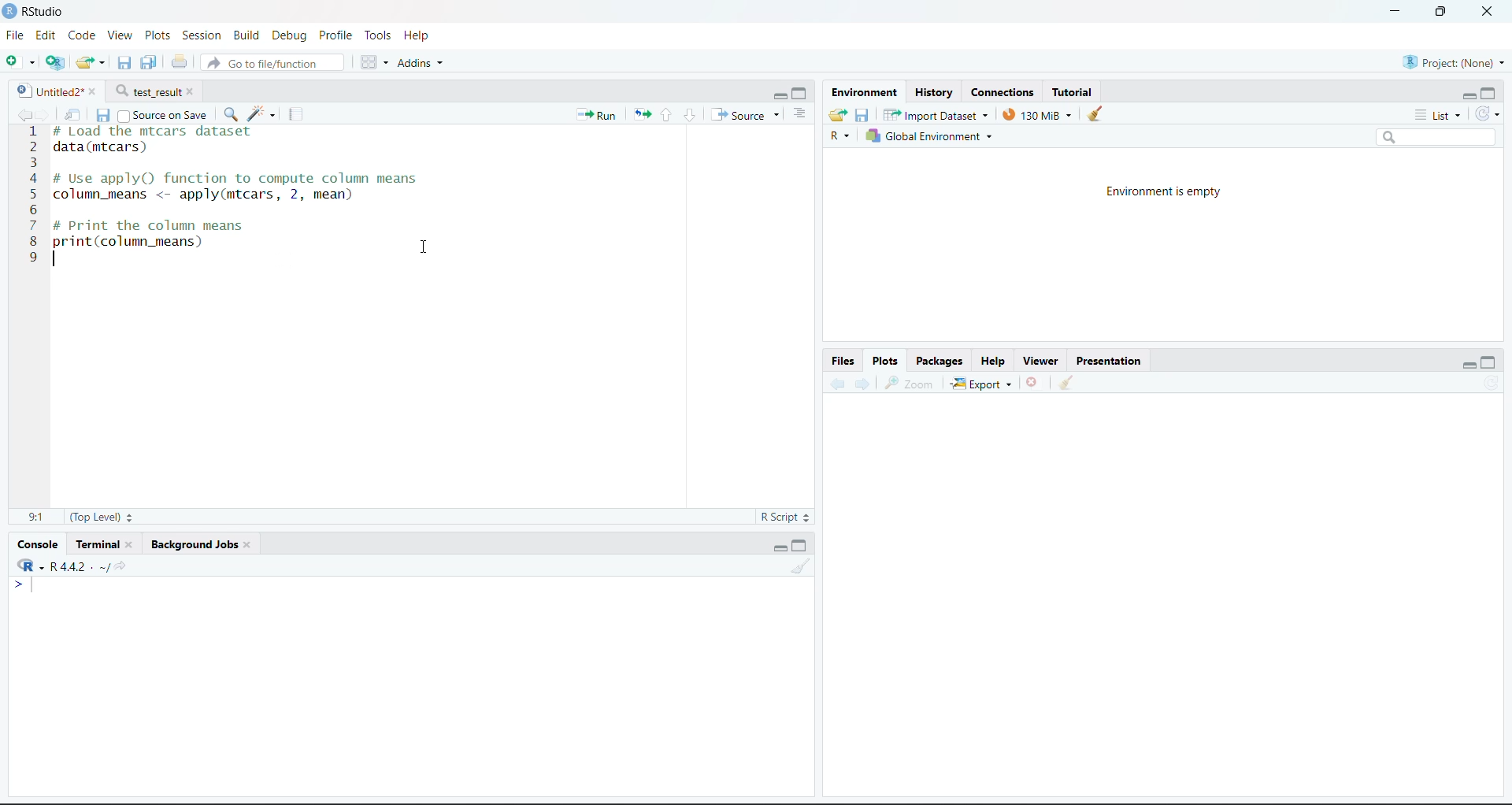 Image resolution: width=1512 pixels, height=805 pixels. I want to click on Export, so click(984, 381).